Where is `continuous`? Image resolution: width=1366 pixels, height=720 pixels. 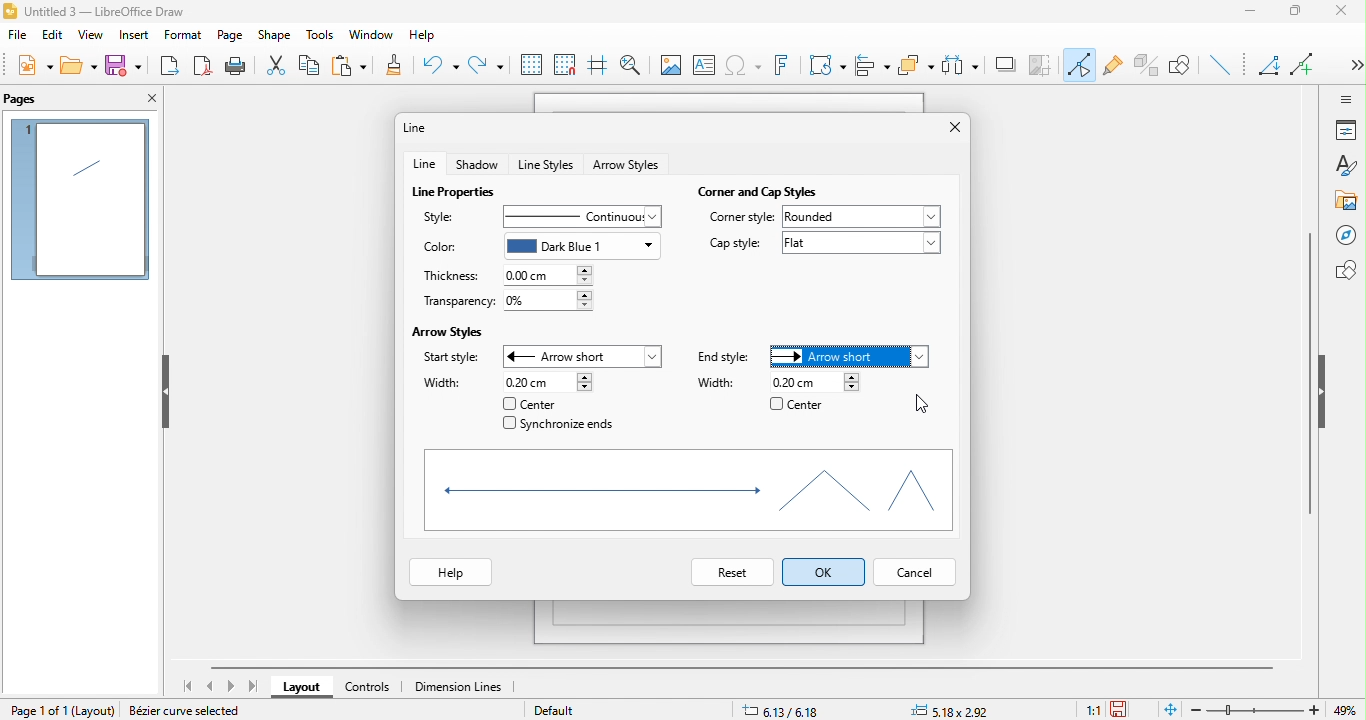 continuous is located at coordinates (579, 215).